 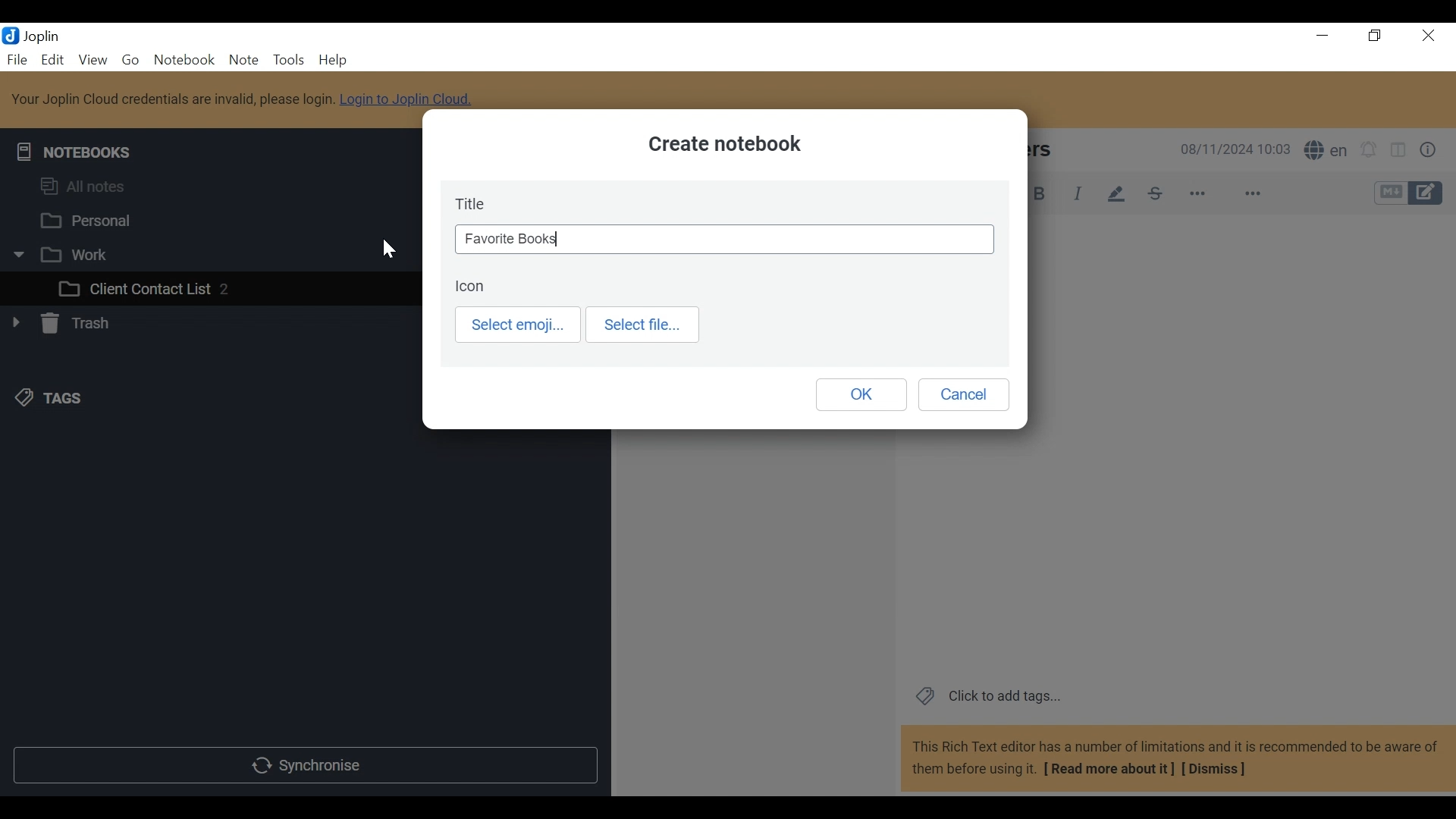 I want to click on Trash, so click(x=67, y=325).